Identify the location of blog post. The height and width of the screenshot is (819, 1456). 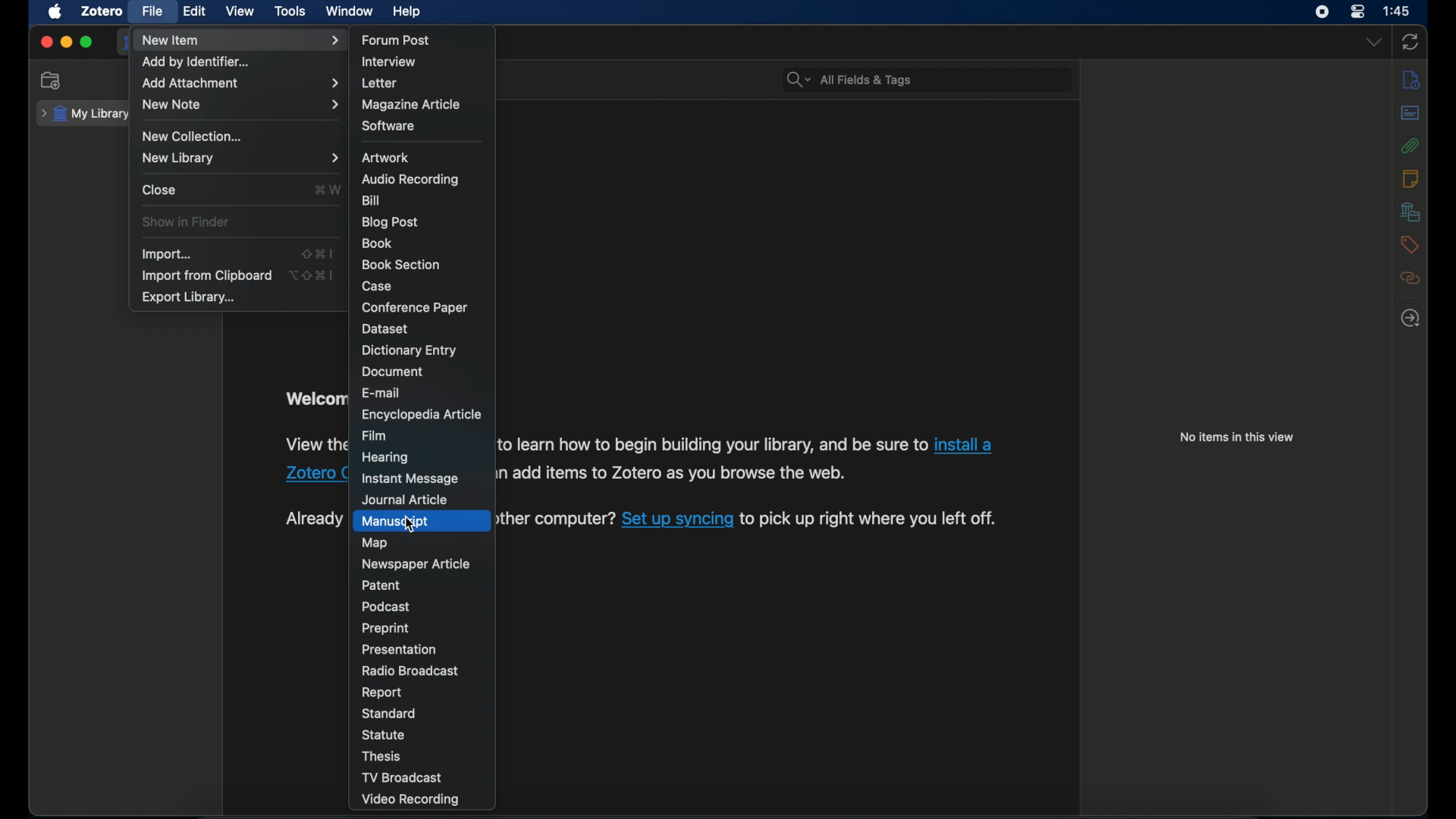
(391, 222).